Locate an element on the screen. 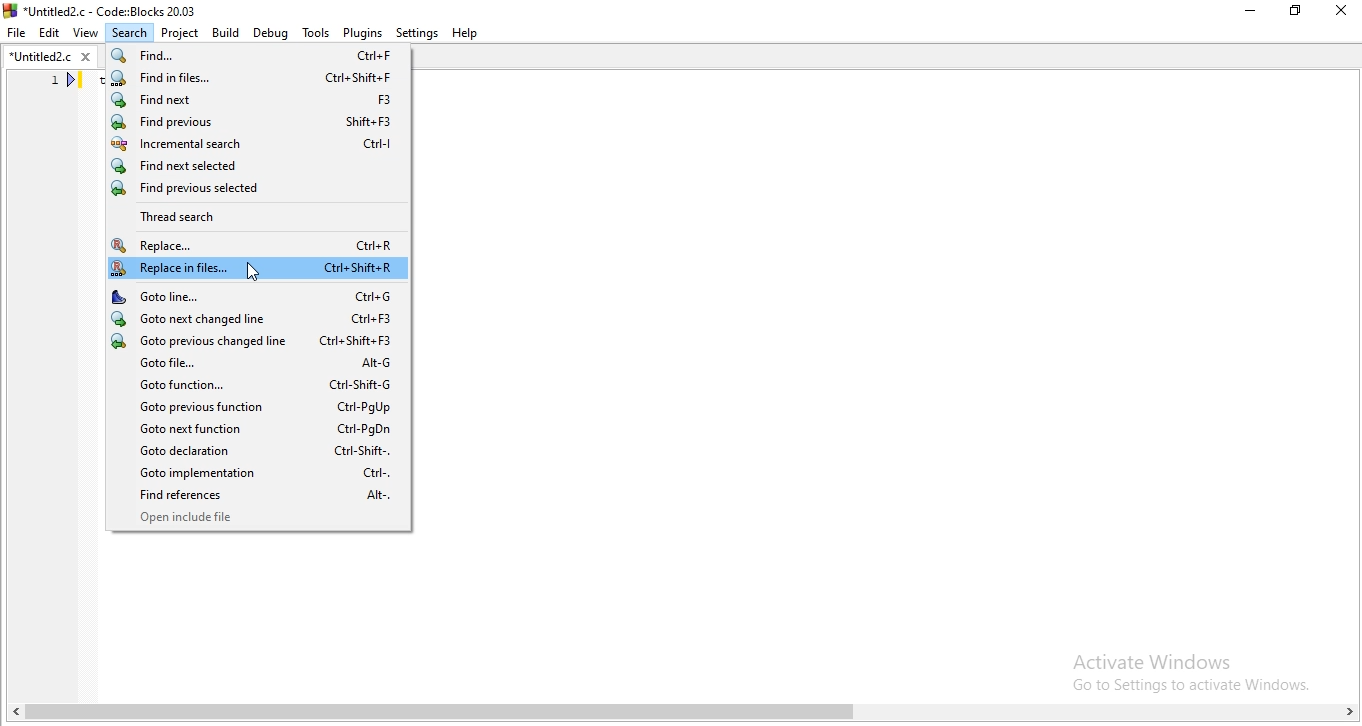  Tools  is located at coordinates (315, 34).